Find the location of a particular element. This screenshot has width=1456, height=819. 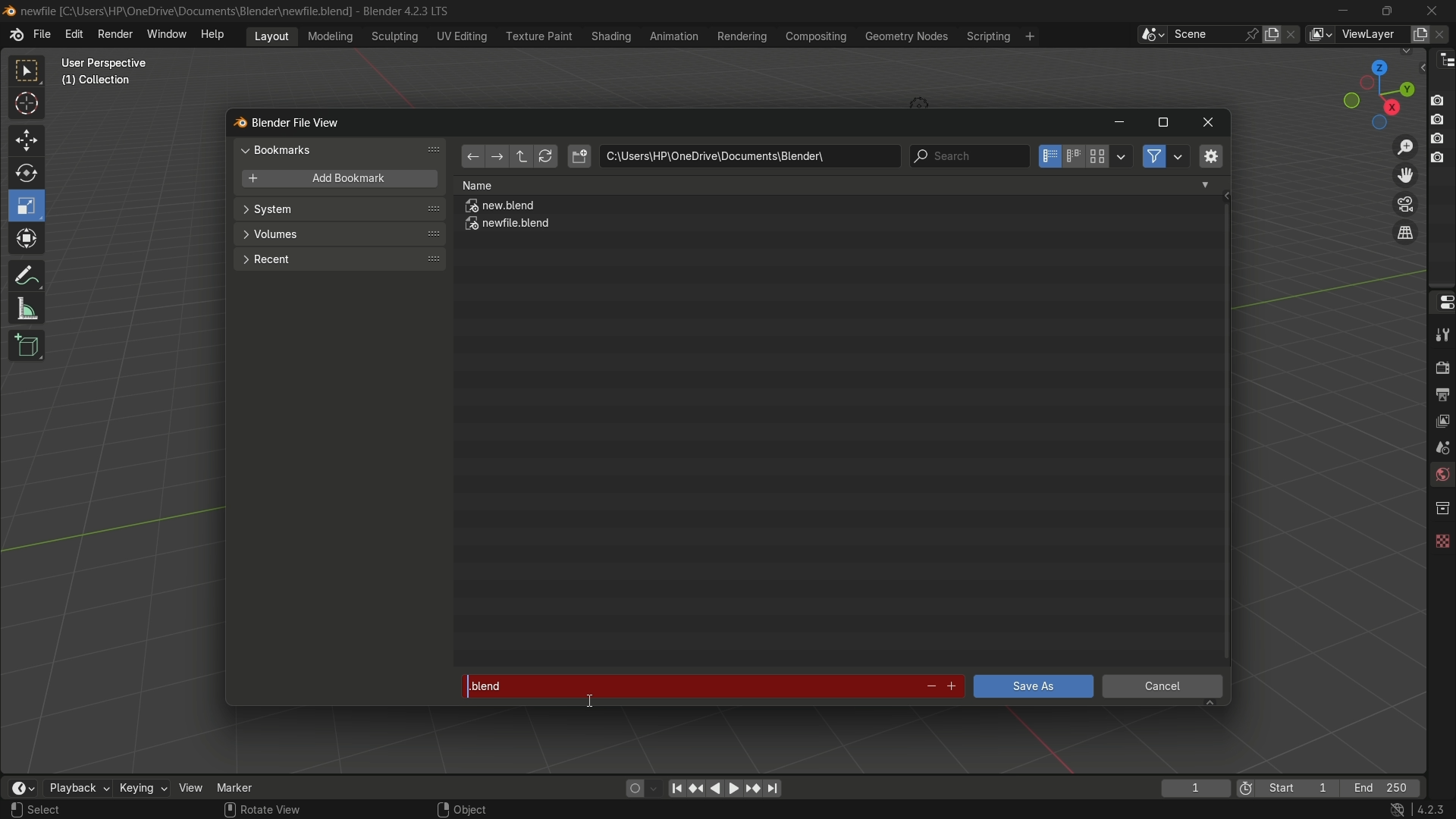

move is located at coordinates (25, 139).